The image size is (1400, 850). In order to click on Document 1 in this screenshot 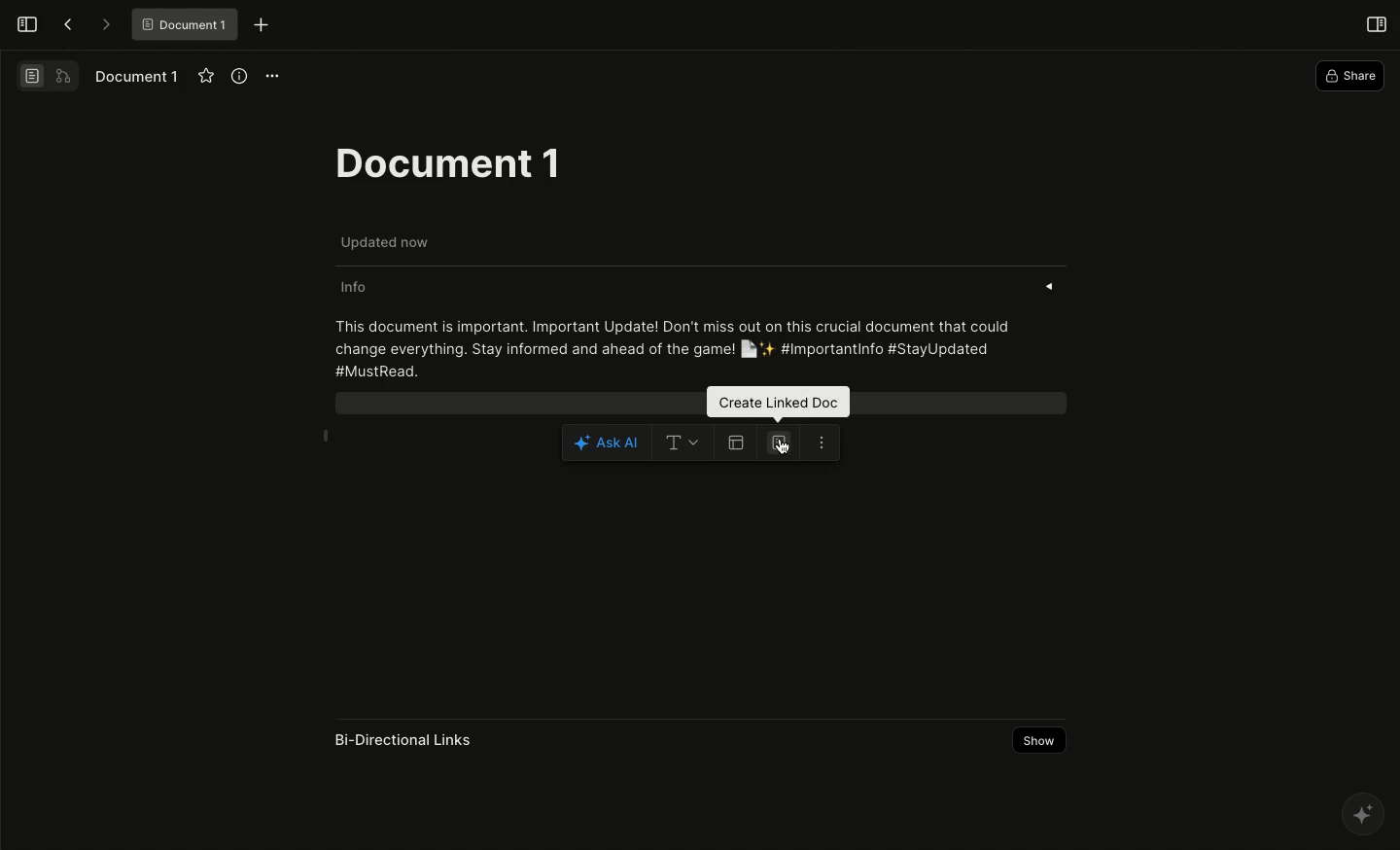, I will do `click(445, 161)`.